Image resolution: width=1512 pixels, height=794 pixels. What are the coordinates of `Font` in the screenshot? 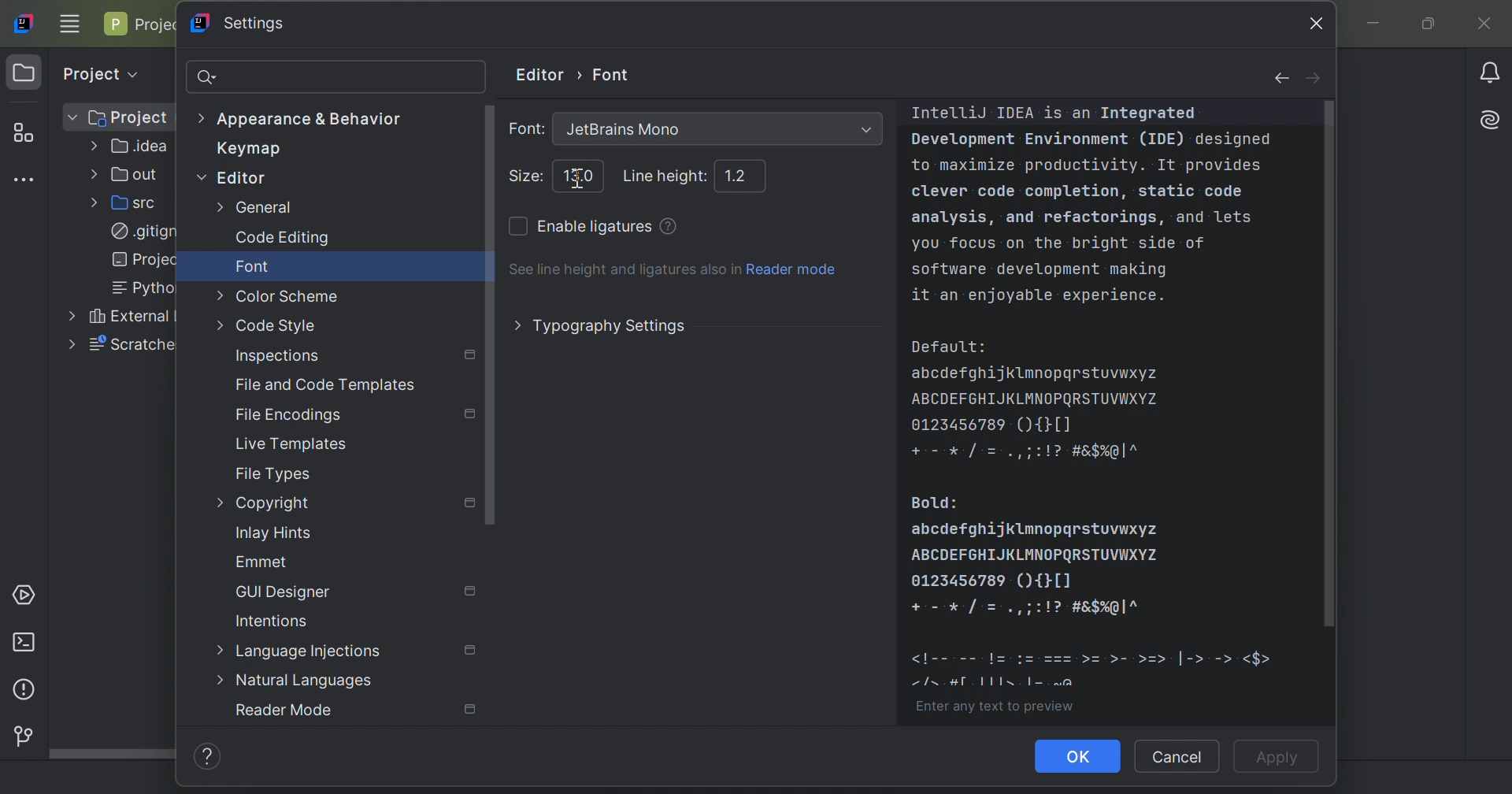 It's located at (614, 72).